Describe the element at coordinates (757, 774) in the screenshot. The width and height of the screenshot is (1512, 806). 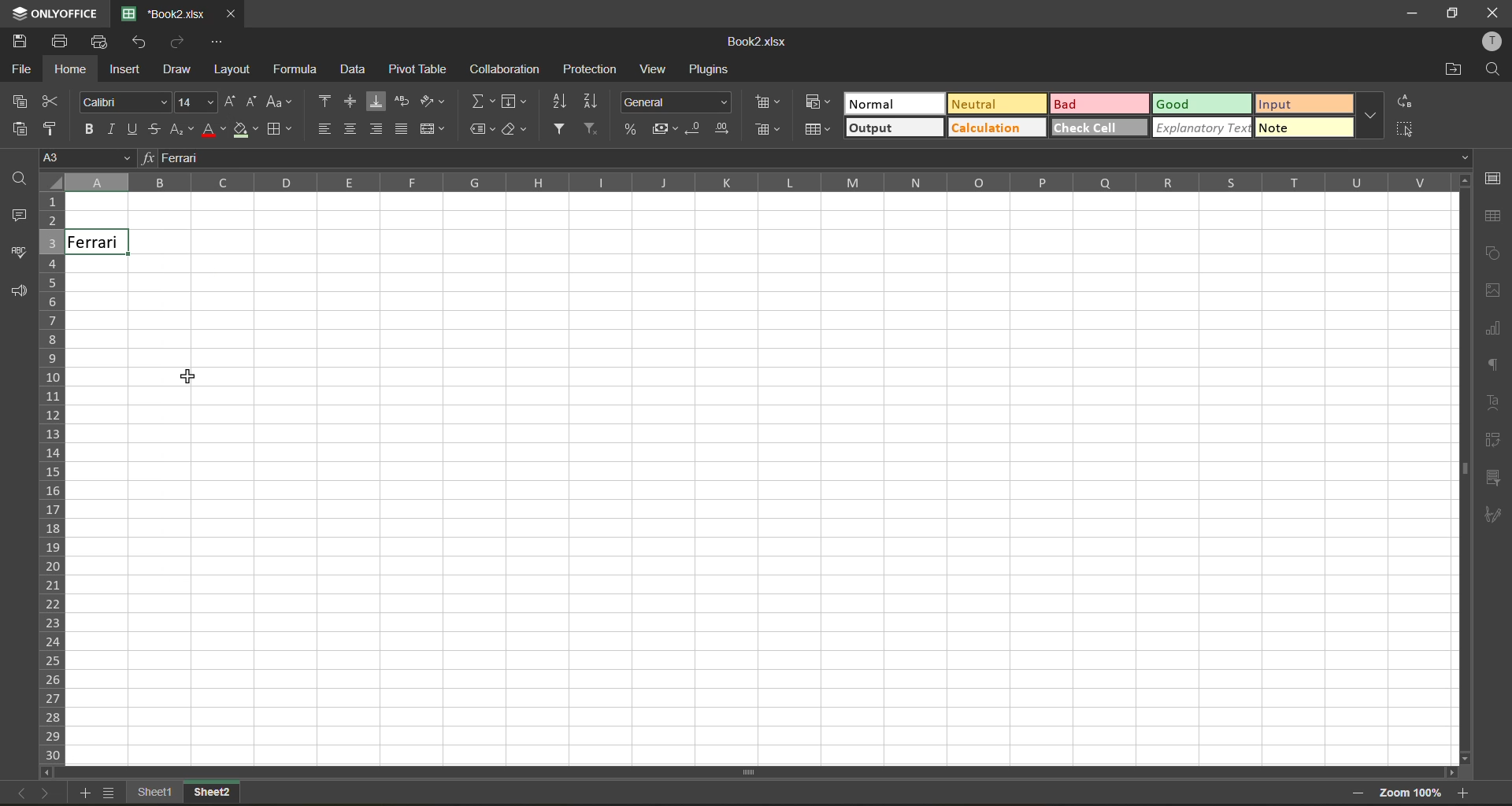
I see `Vertical Scrollbar` at that location.